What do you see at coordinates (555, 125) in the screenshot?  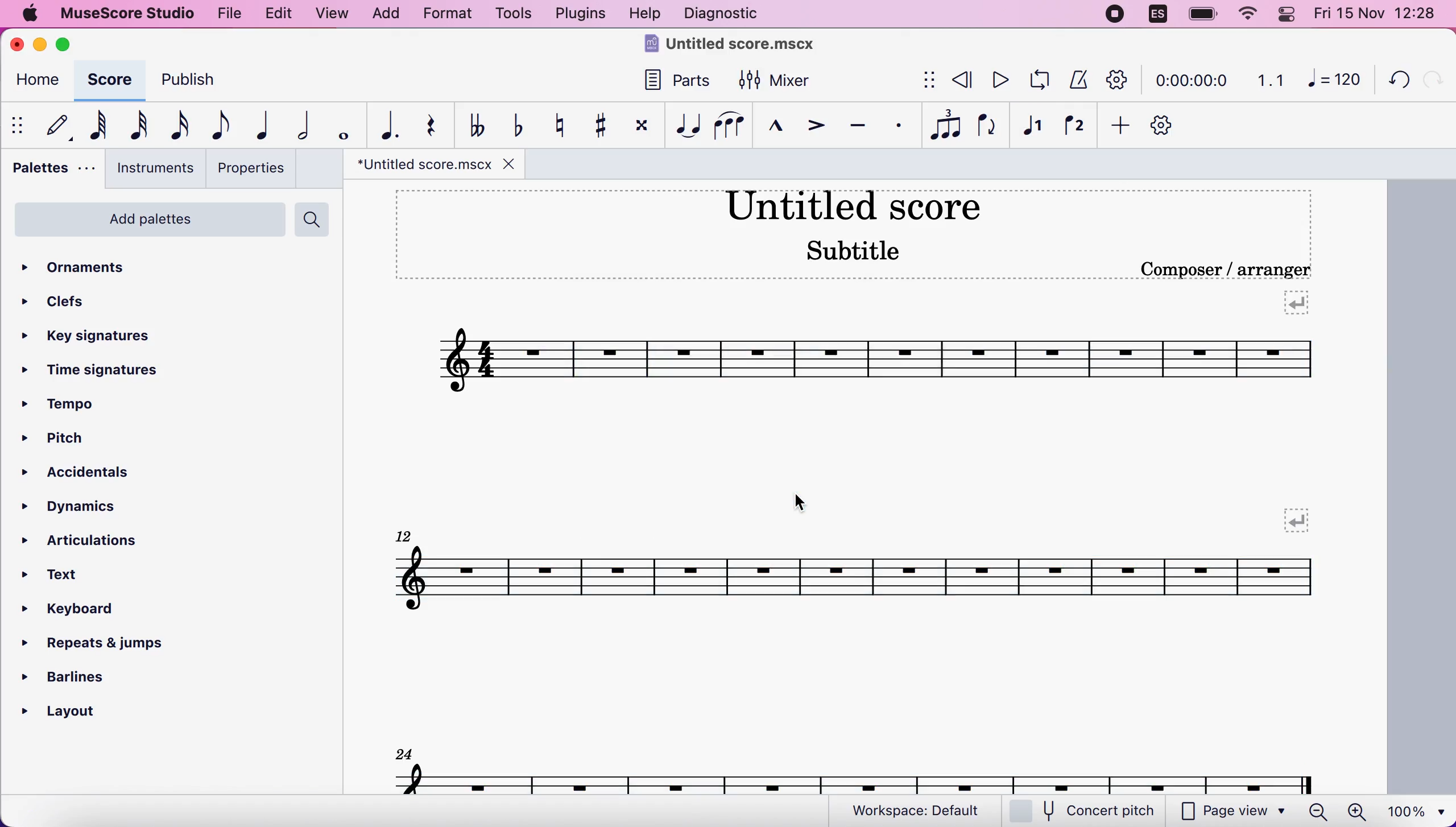 I see `toggle natural` at bounding box center [555, 125].